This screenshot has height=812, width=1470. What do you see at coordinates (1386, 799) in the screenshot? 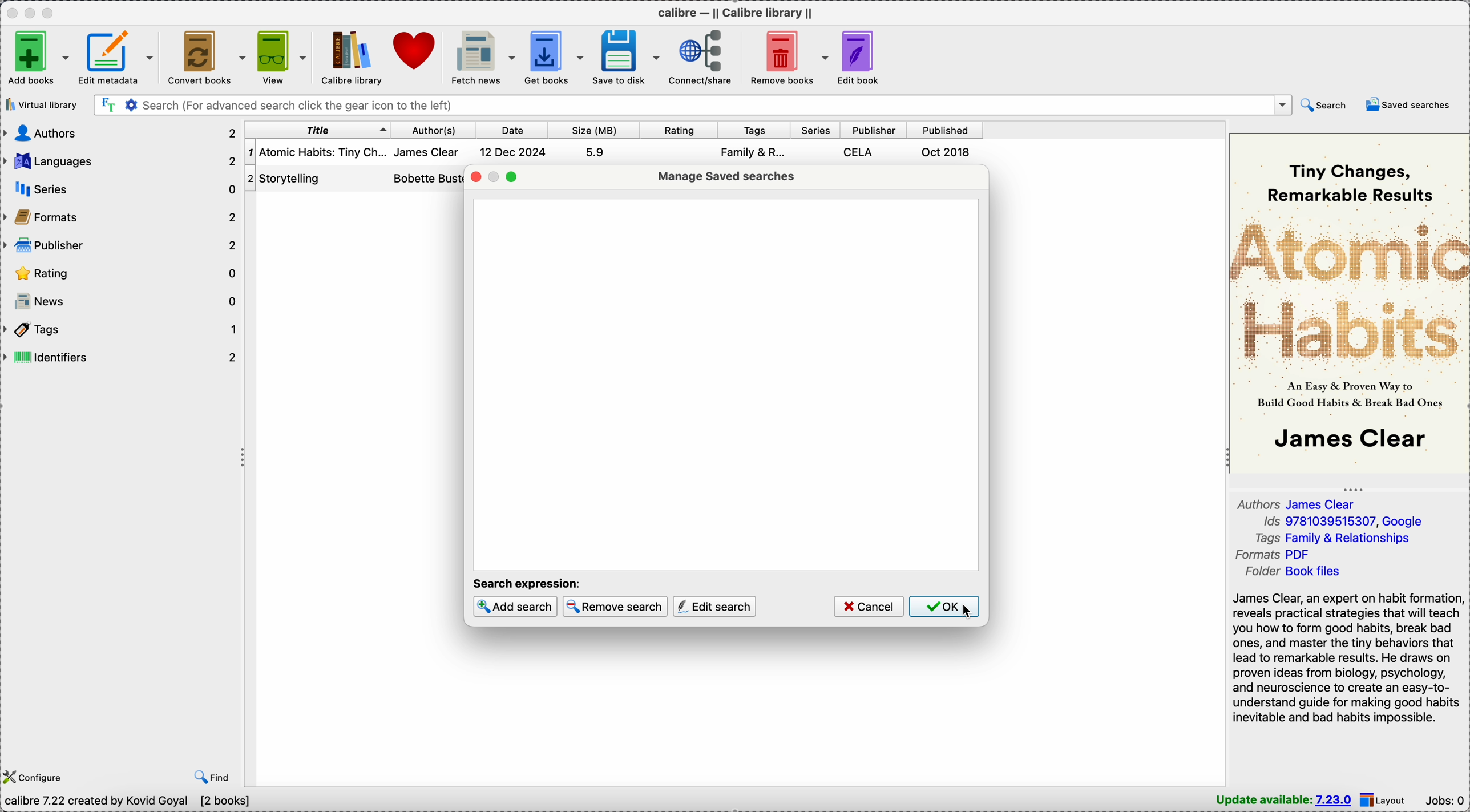
I see `layout` at bounding box center [1386, 799].